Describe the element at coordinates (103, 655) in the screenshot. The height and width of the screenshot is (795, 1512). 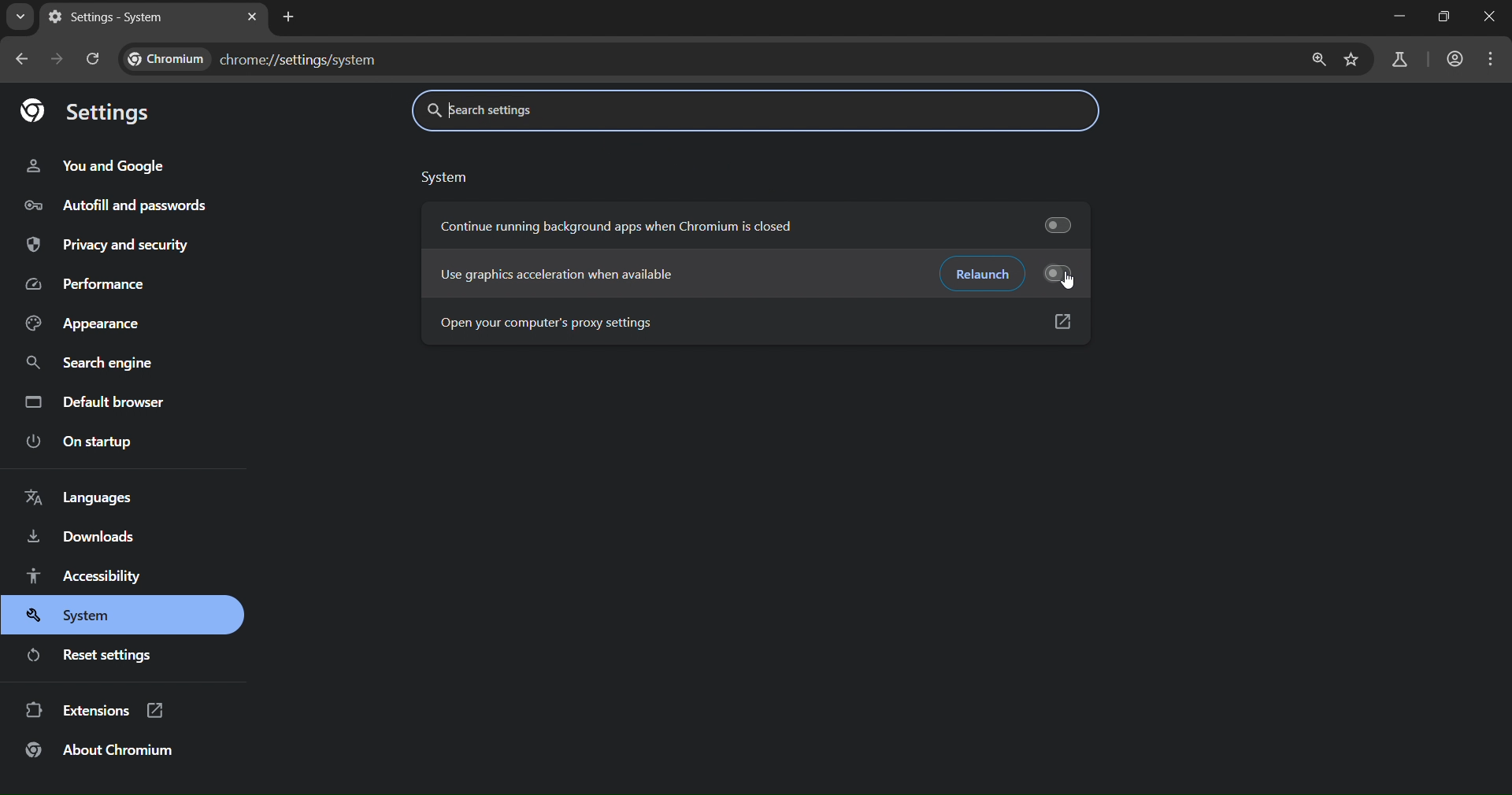
I see `reset settings` at that location.